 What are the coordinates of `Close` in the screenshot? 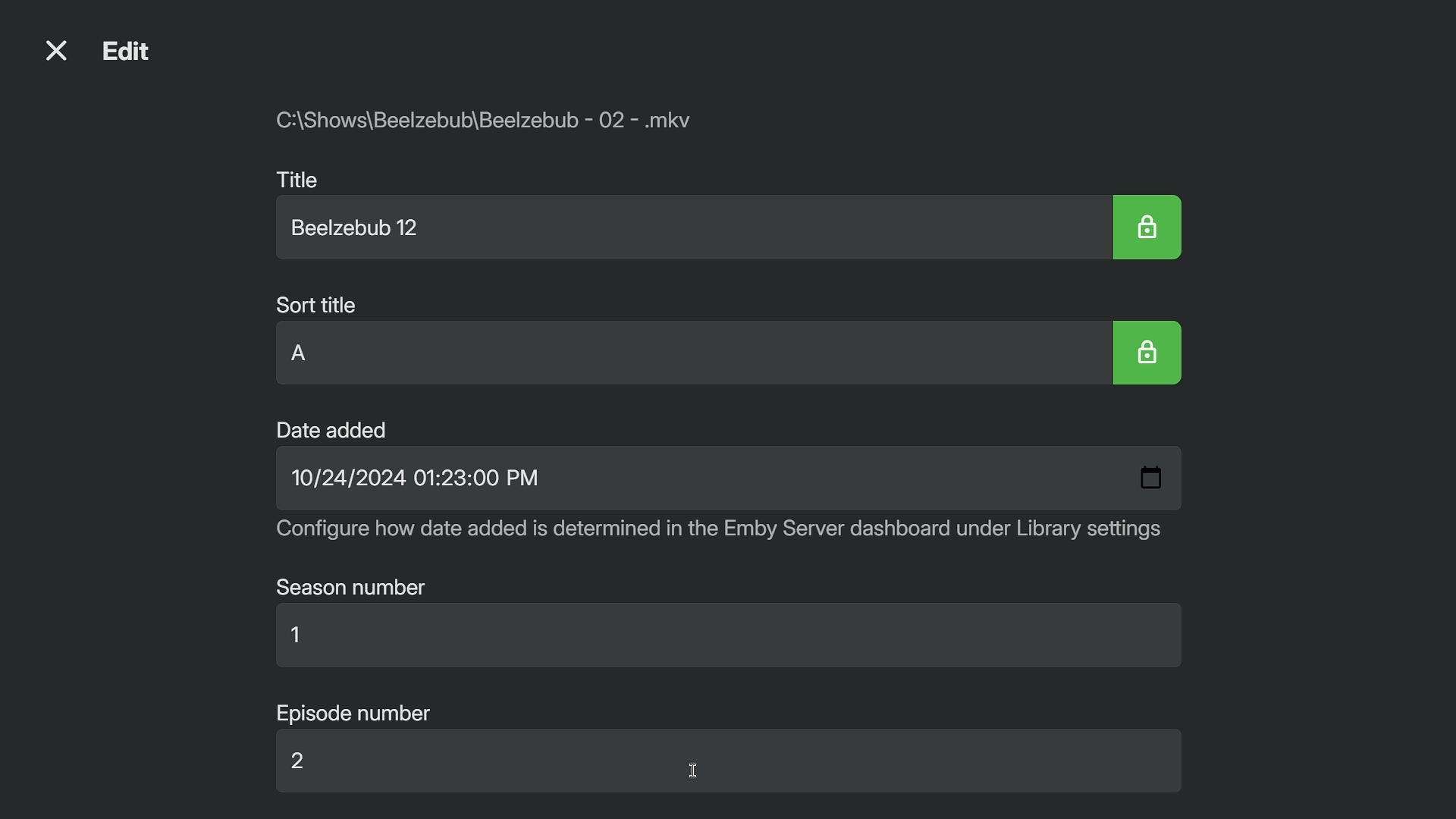 It's located at (56, 50).